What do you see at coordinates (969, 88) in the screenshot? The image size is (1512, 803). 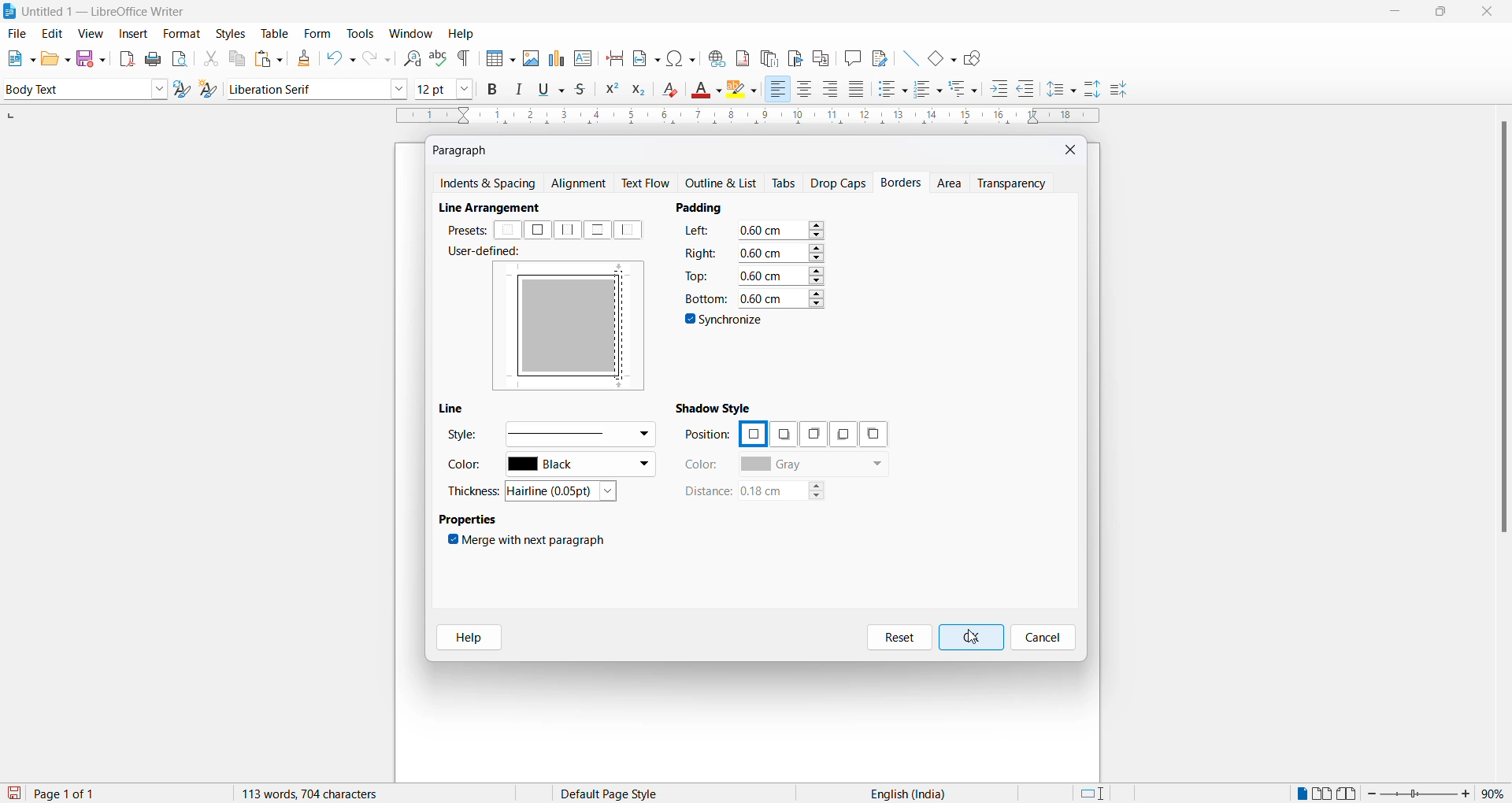 I see `select outline format` at bounding box center [969, 88].